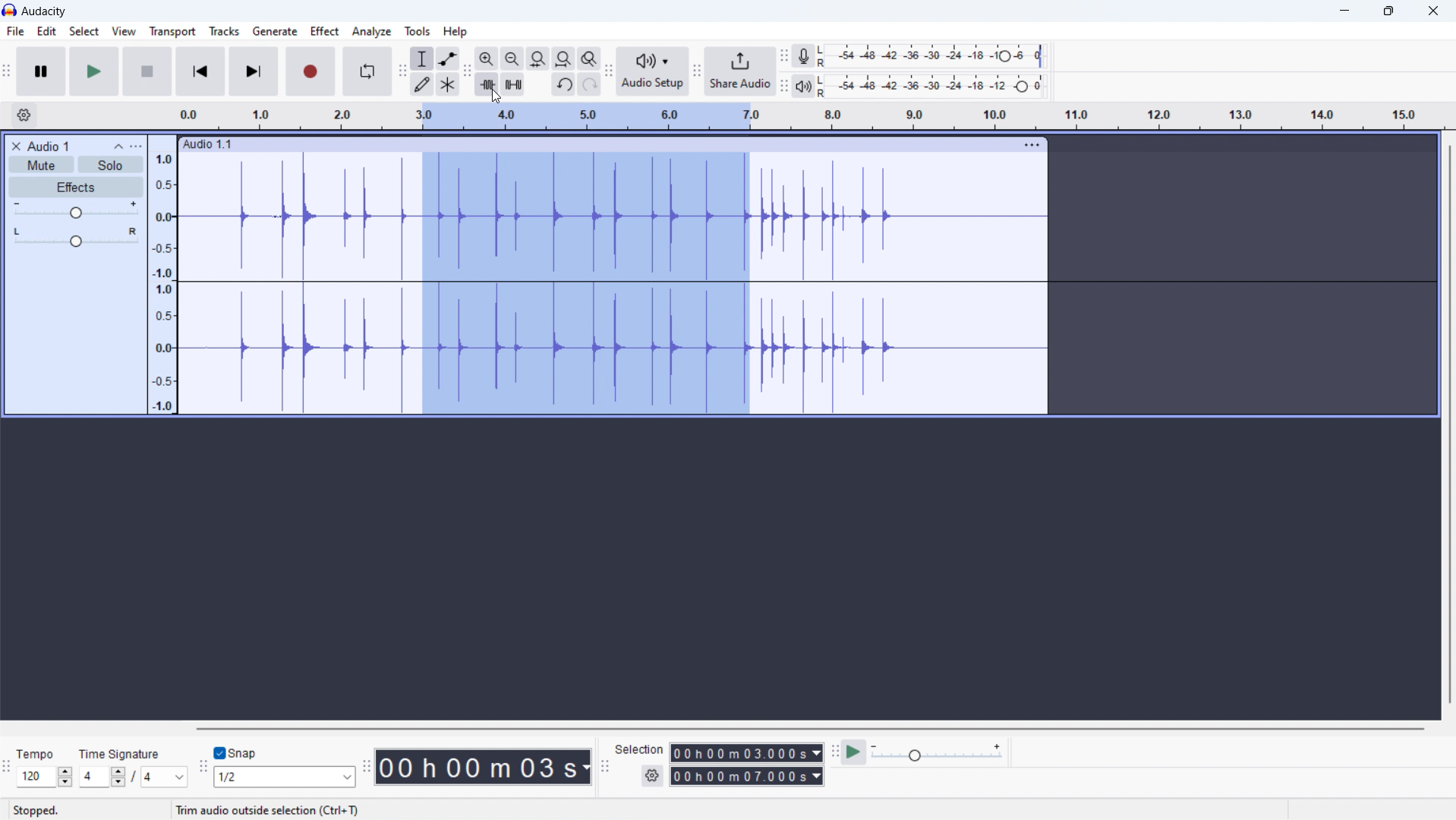 Image resolution: width=1456 pixels, height=820 pixels. I want to click on toggle snap, so click(235, 752).